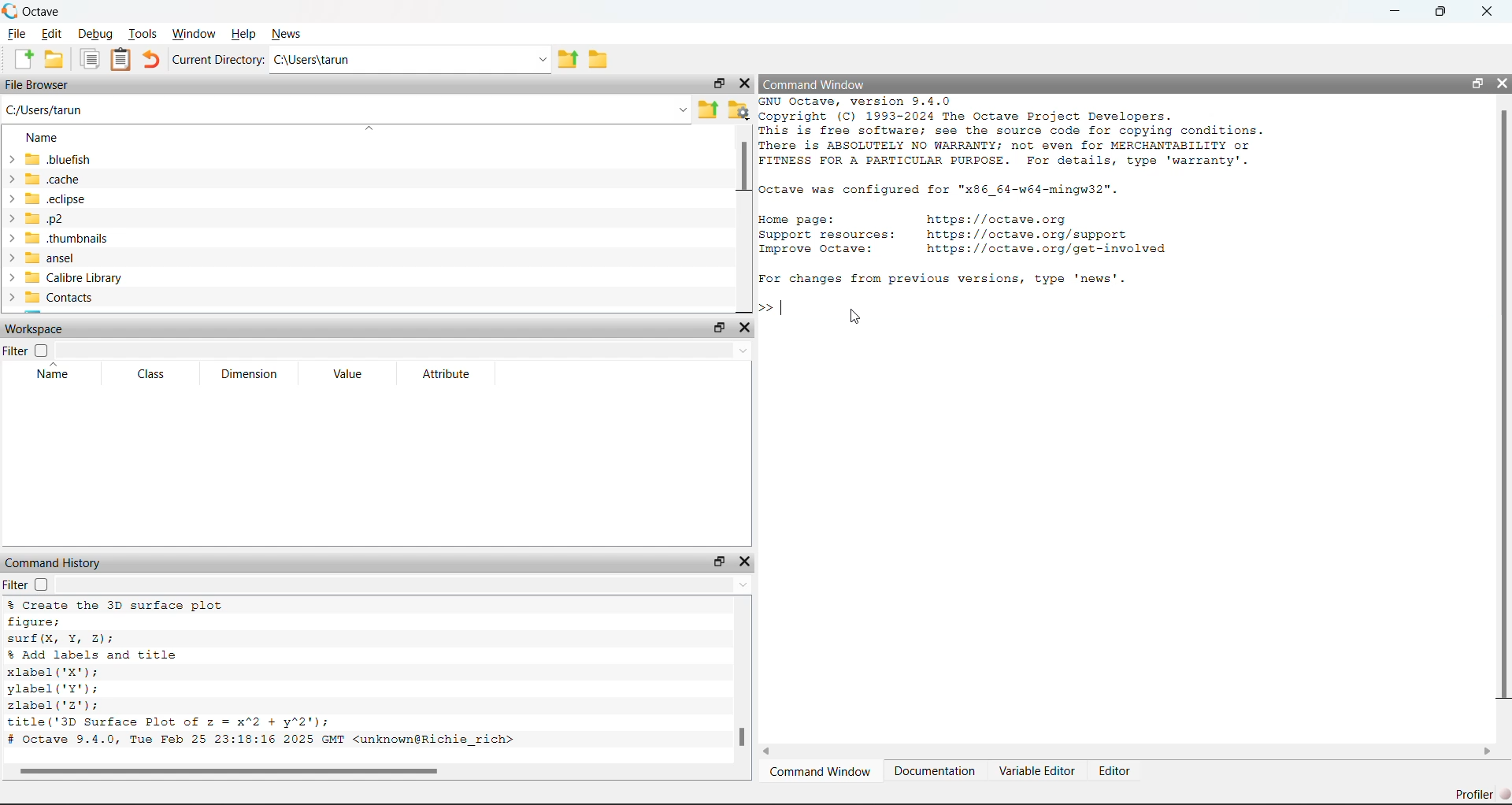 The height and width of the screenshot is (805, 1512). I want to click on Scroll, so click(743, 219).